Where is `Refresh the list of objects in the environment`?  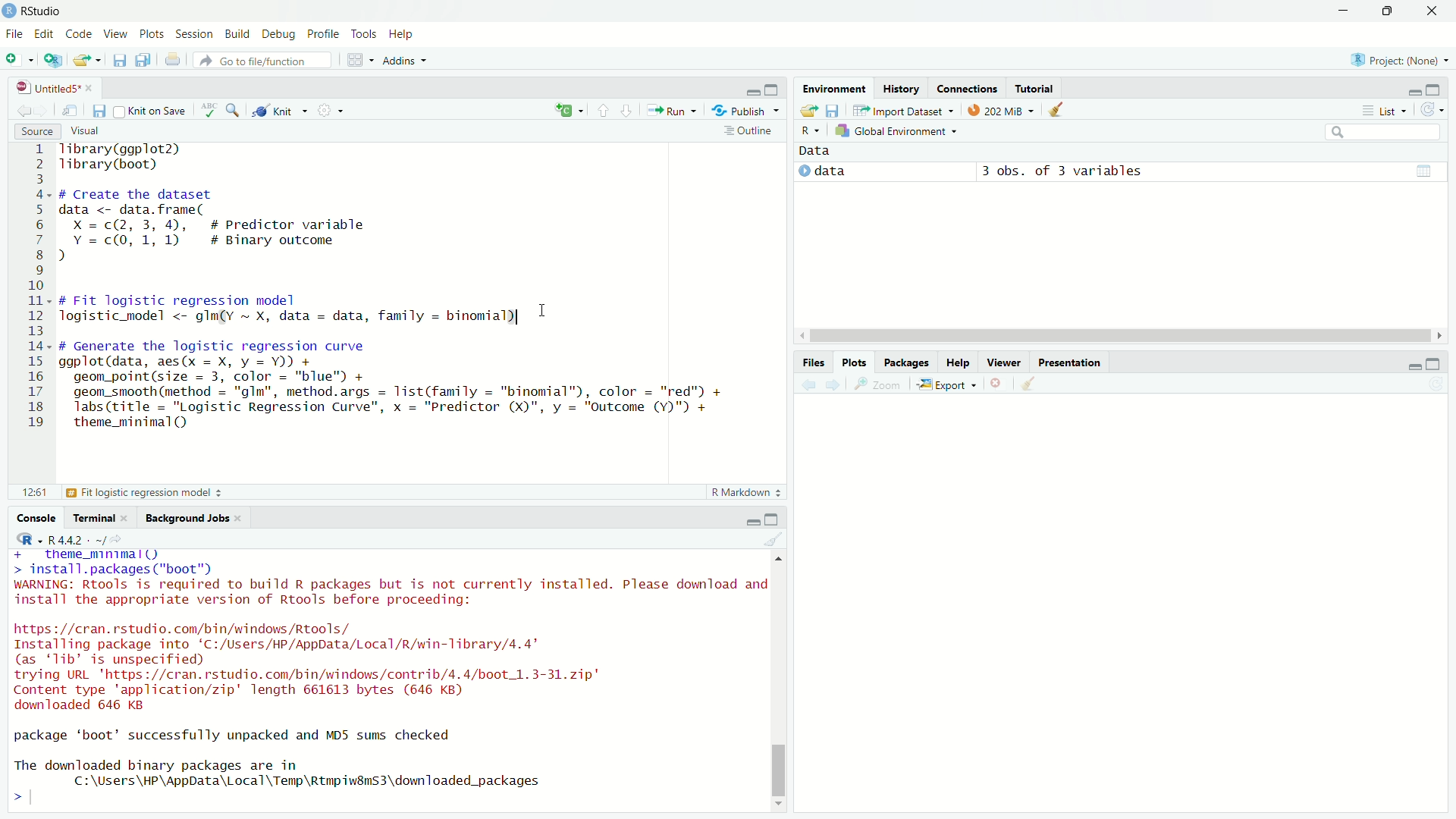 Refresh the list of objects in the environment is located at coordinates (1431, 109).